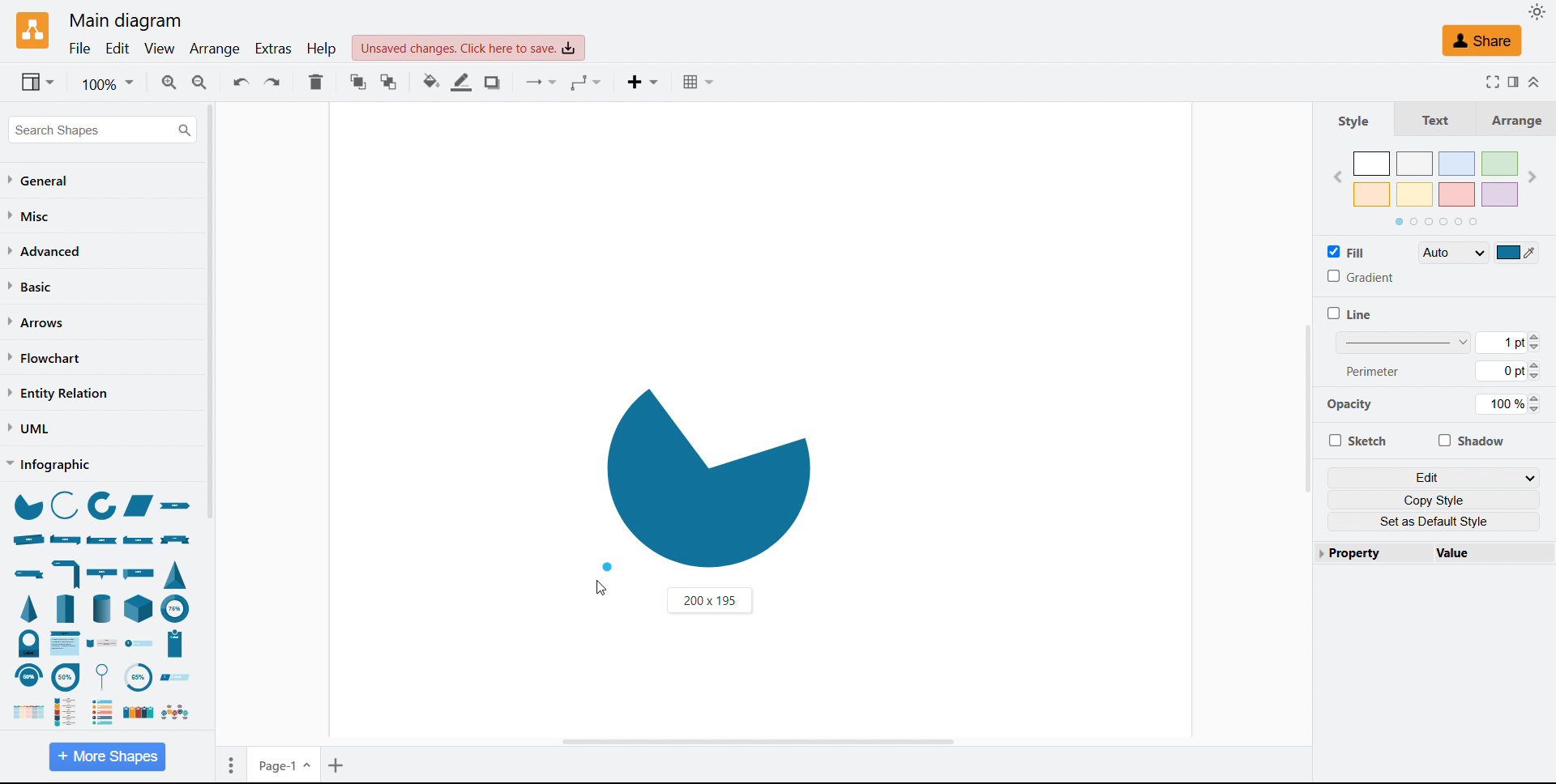  I want to click on partial concentric ellipse, so click(103, 507).